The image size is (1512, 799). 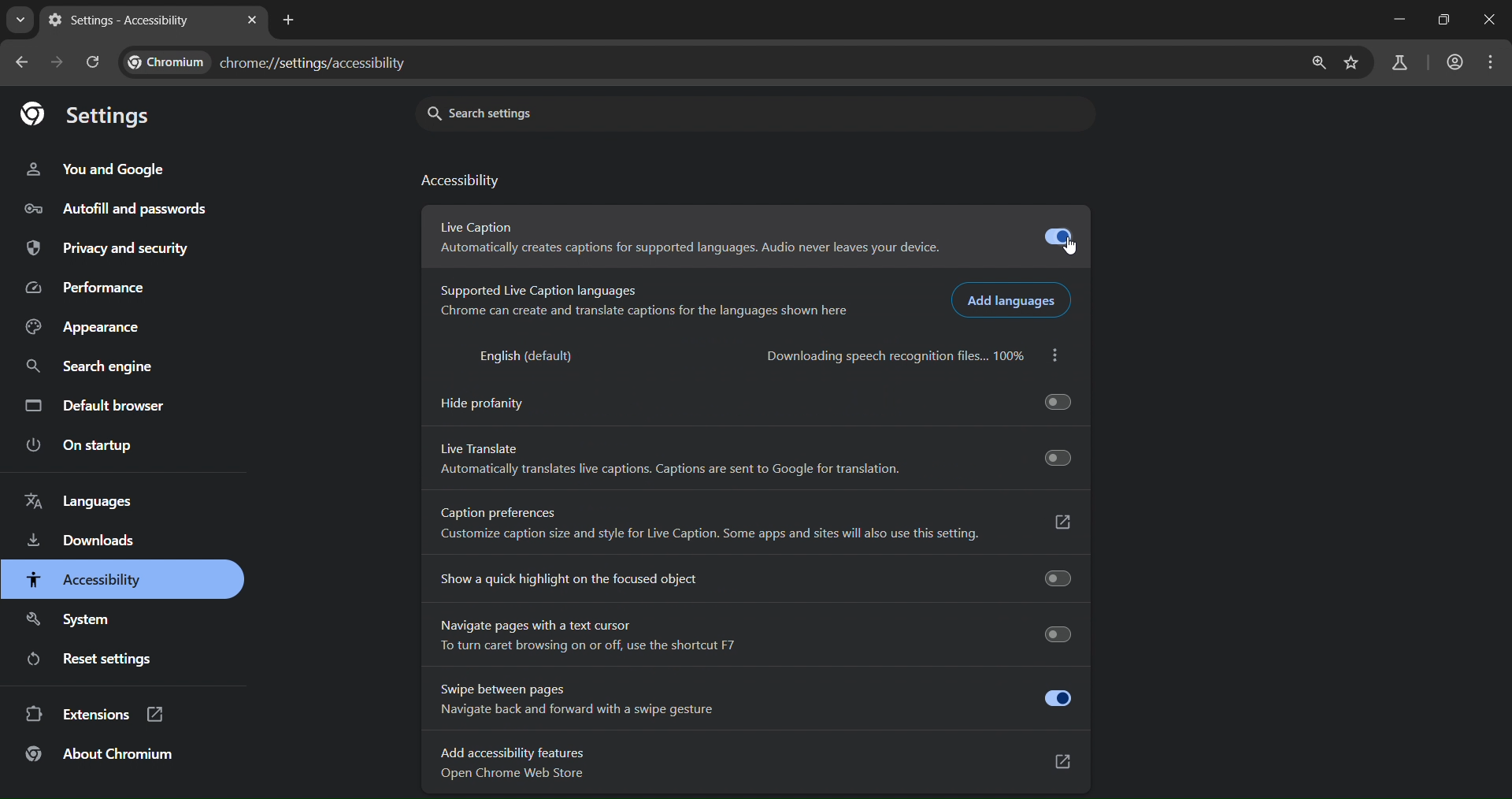 I want to click on search settings, so click(x=752, y=112).